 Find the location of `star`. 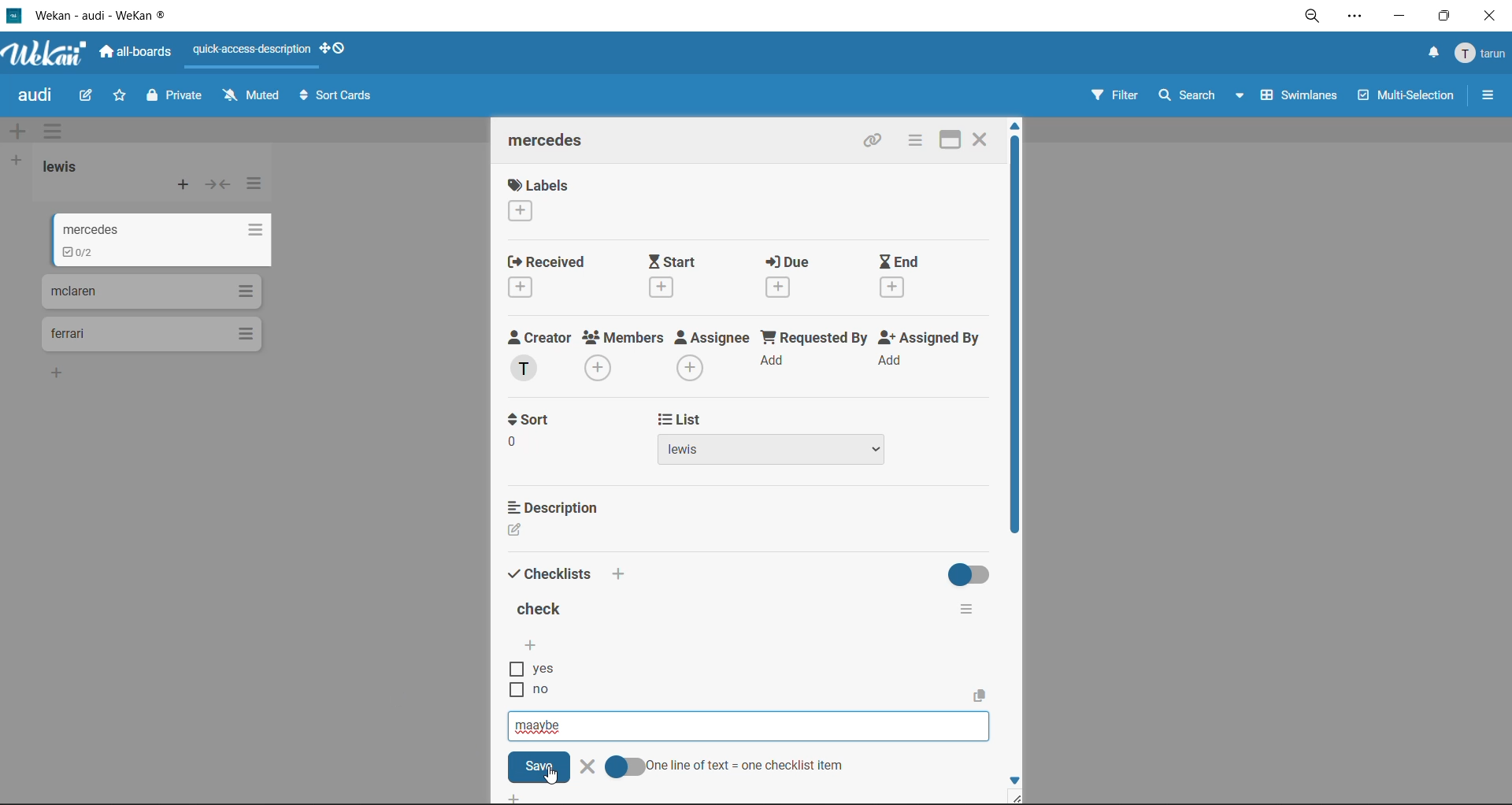

star is located at coordinates (125, 97).